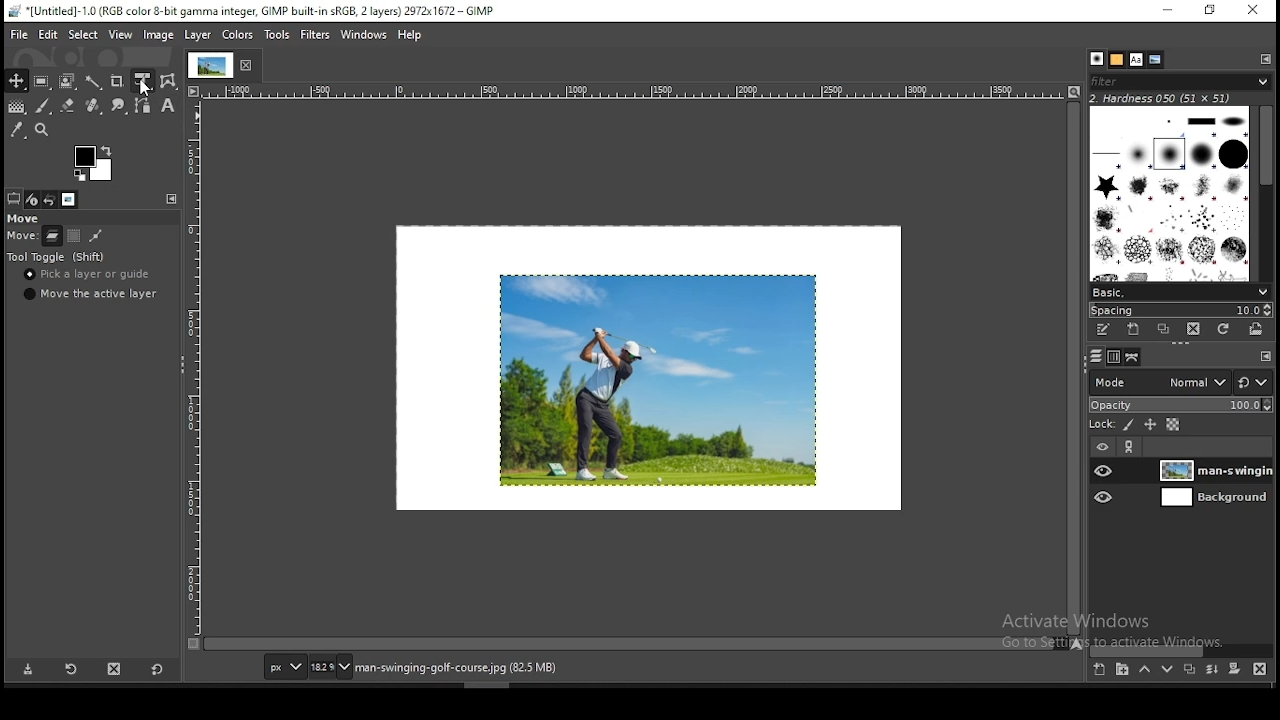 Image resolution: width=1280 pixels, height=720 pixels. Describe the element at coordinates (75, 236) in the screenshot. I see `move channel` at that location.